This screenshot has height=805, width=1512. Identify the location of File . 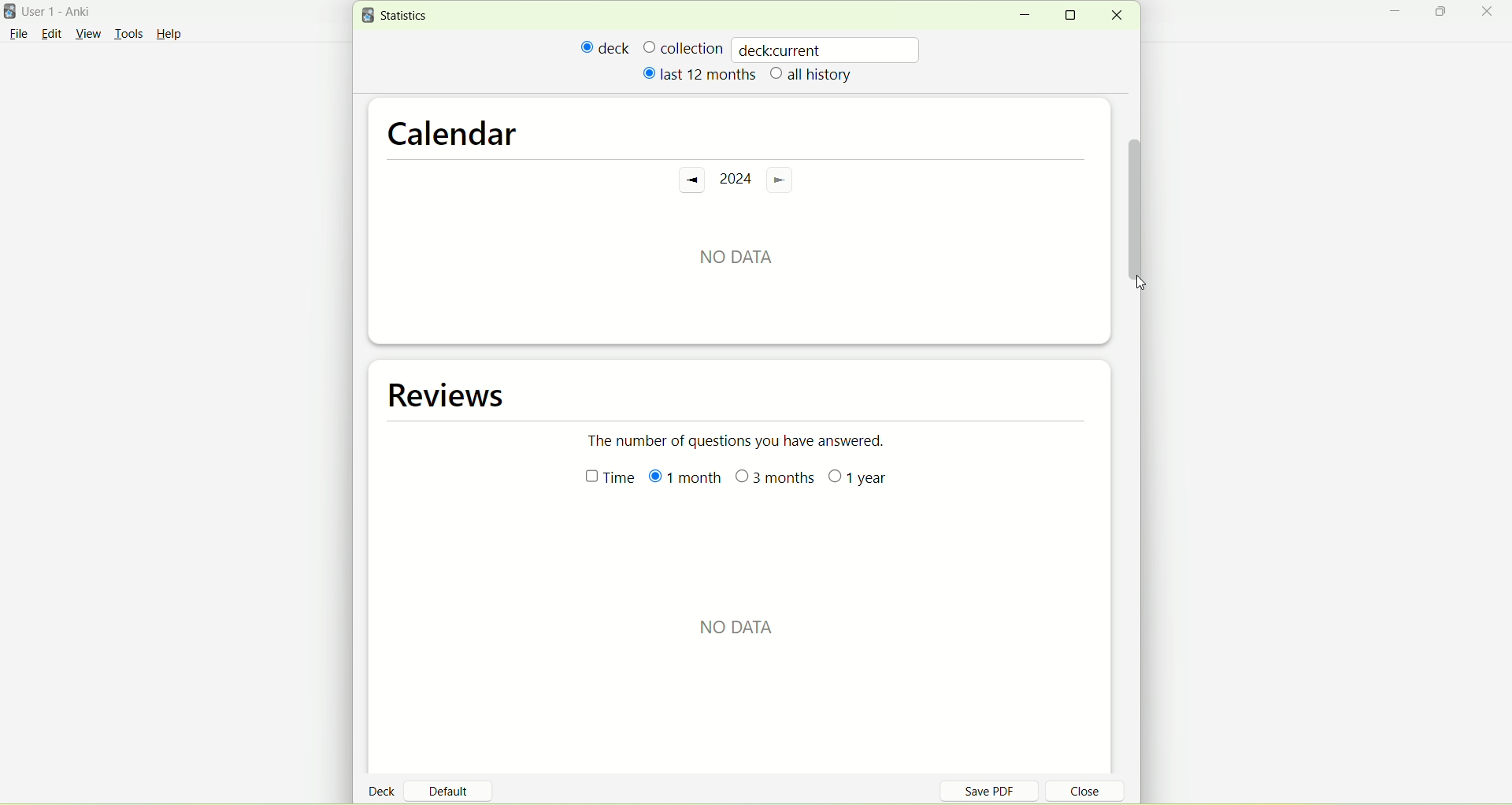
(18, 34).